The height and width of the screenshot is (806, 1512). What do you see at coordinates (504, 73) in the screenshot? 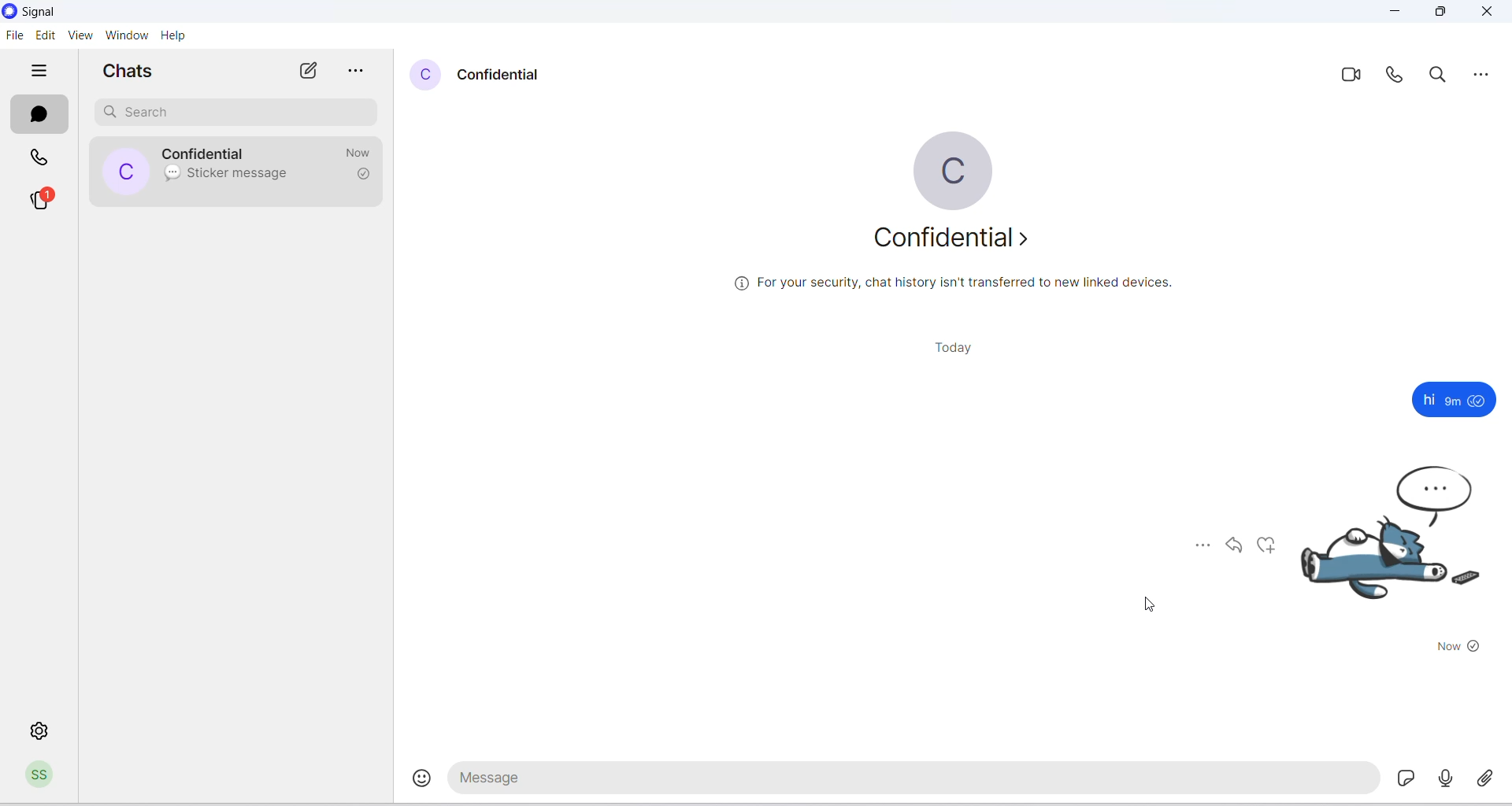
I see `contact name` at bounding box center [504, 73].